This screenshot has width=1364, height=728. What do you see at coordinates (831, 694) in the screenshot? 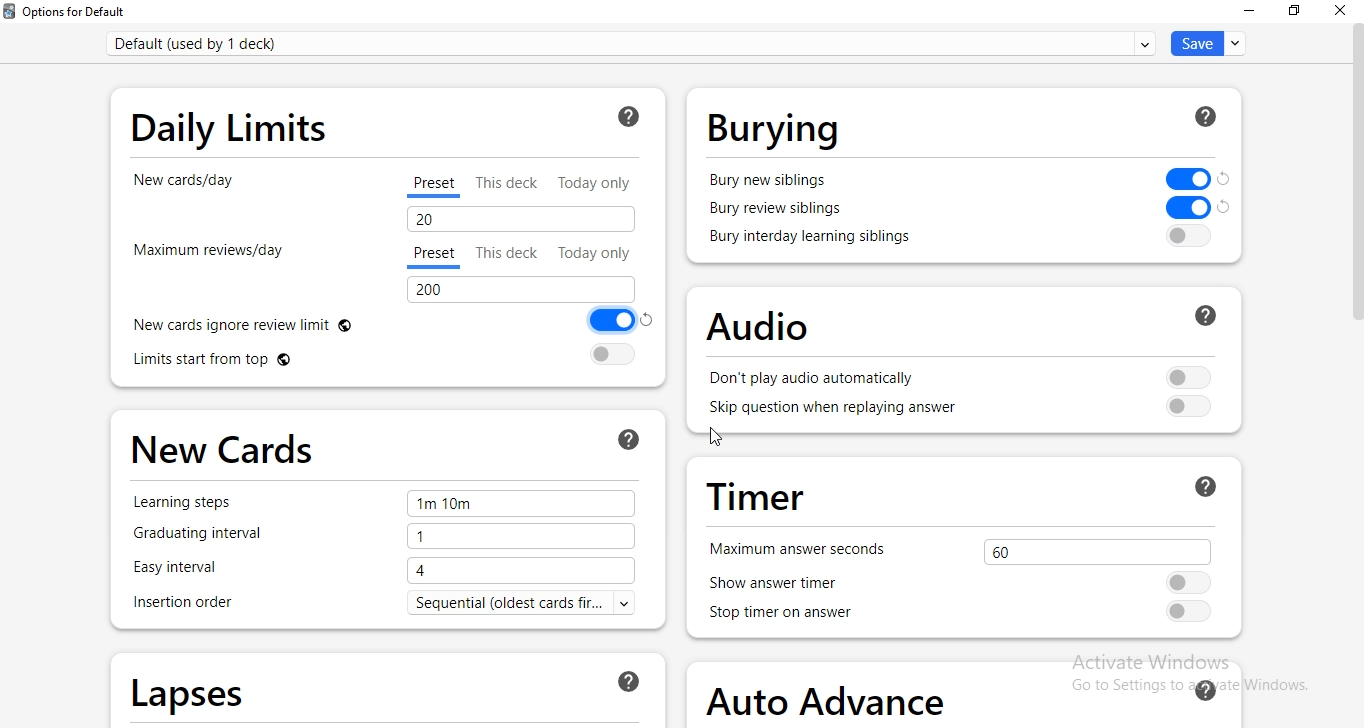
I see `auto advance` at bounding box center [831, 694].